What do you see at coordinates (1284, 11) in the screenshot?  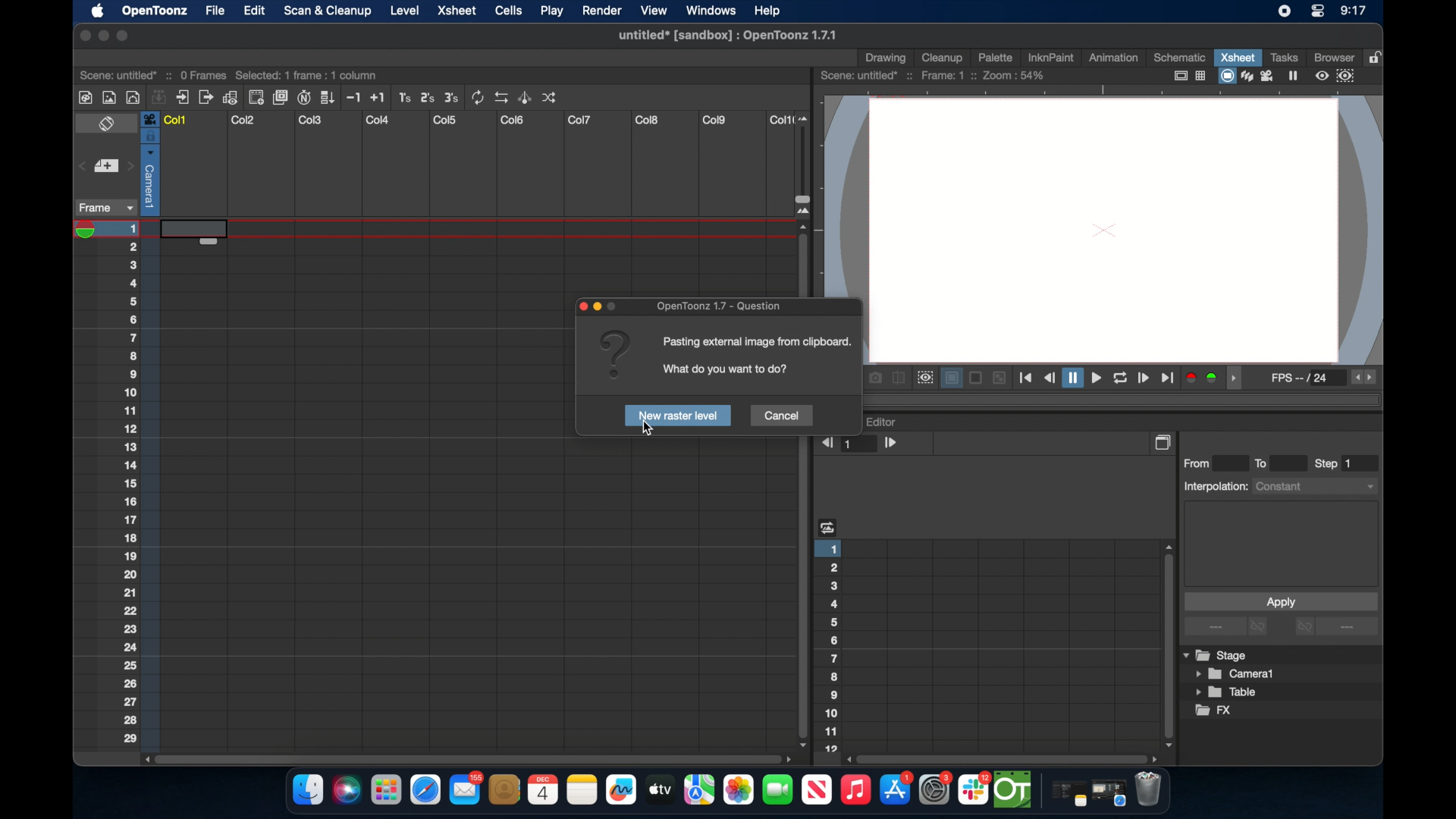 I see `screen recorder icon` at bounding box center [1284, 11].